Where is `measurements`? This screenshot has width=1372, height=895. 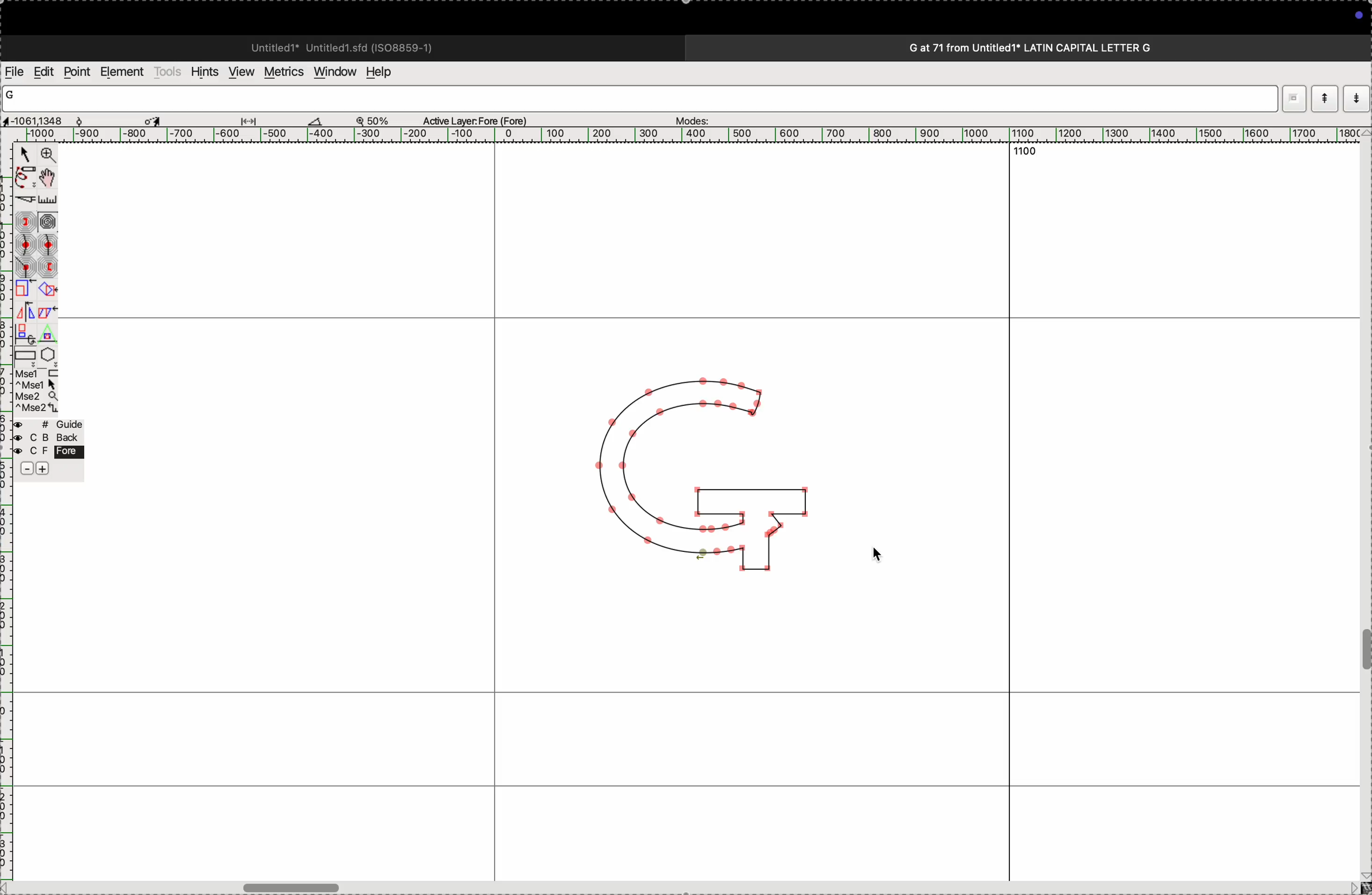 measurements is located at coordinates (236, 119).